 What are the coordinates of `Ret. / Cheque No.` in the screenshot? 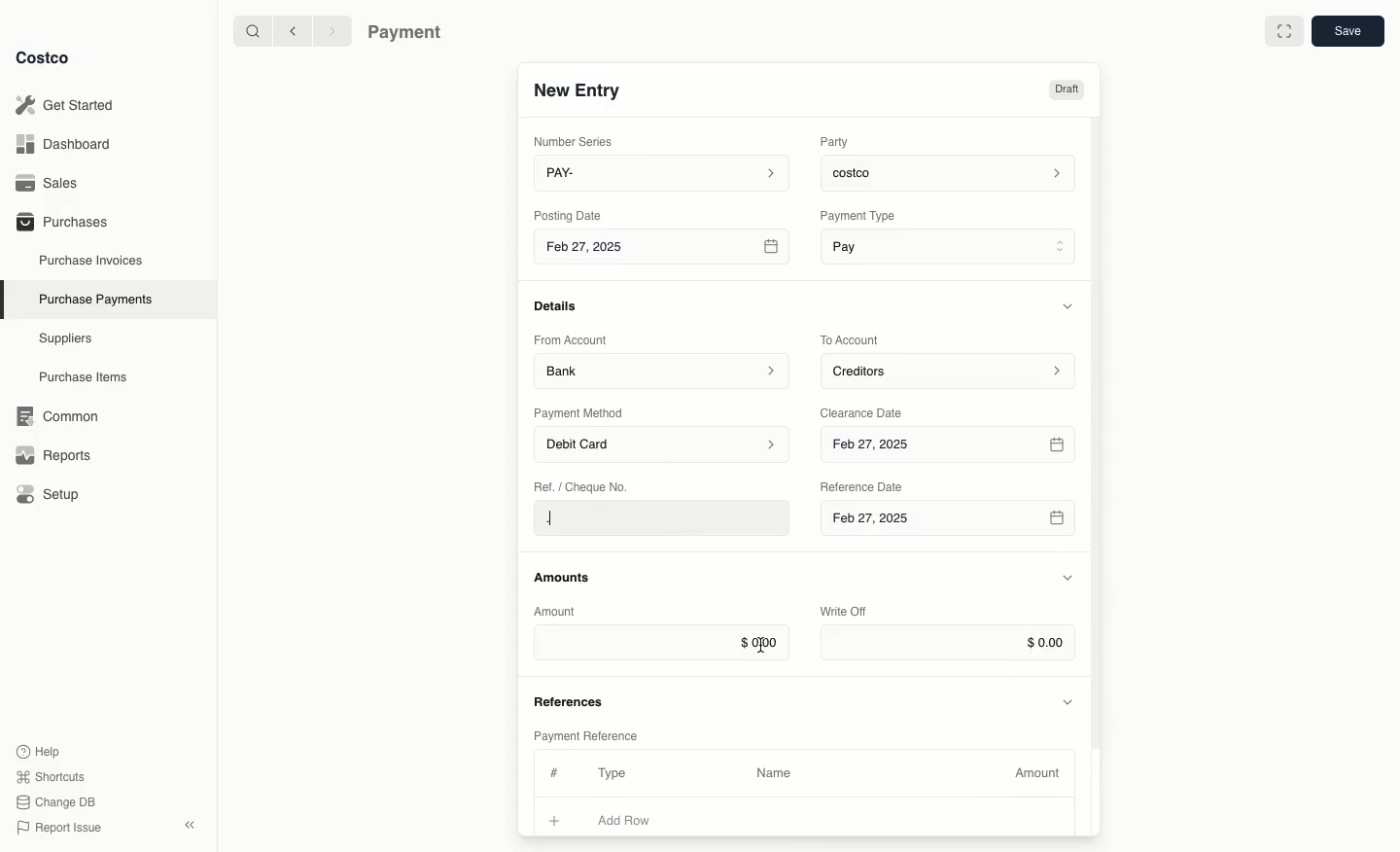 It's located at (583, 485).